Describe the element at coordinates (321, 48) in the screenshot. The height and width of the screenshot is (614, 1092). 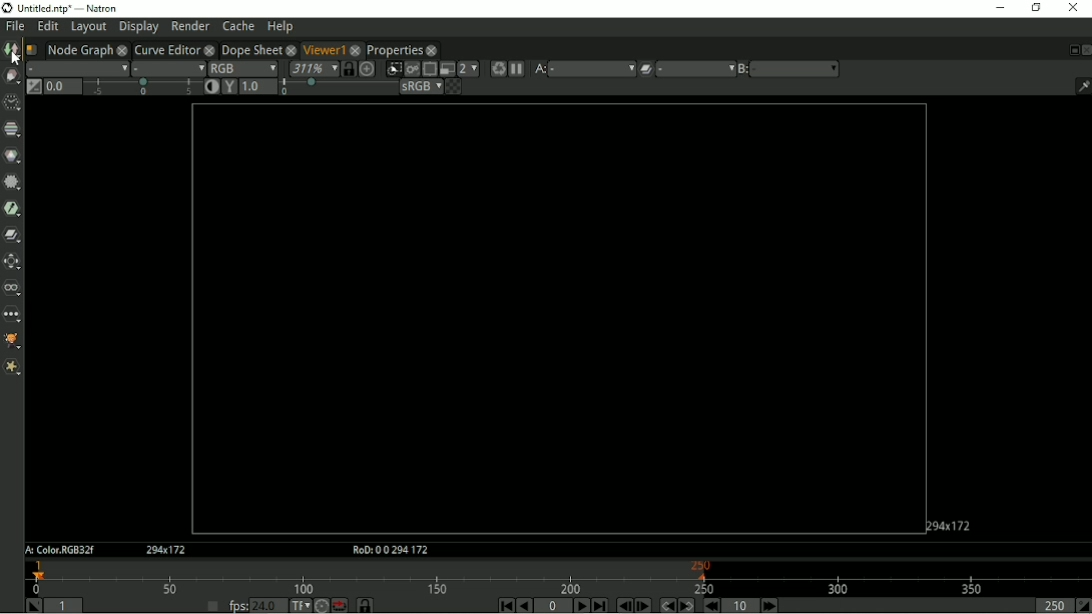
I see `Viewer` at that location.